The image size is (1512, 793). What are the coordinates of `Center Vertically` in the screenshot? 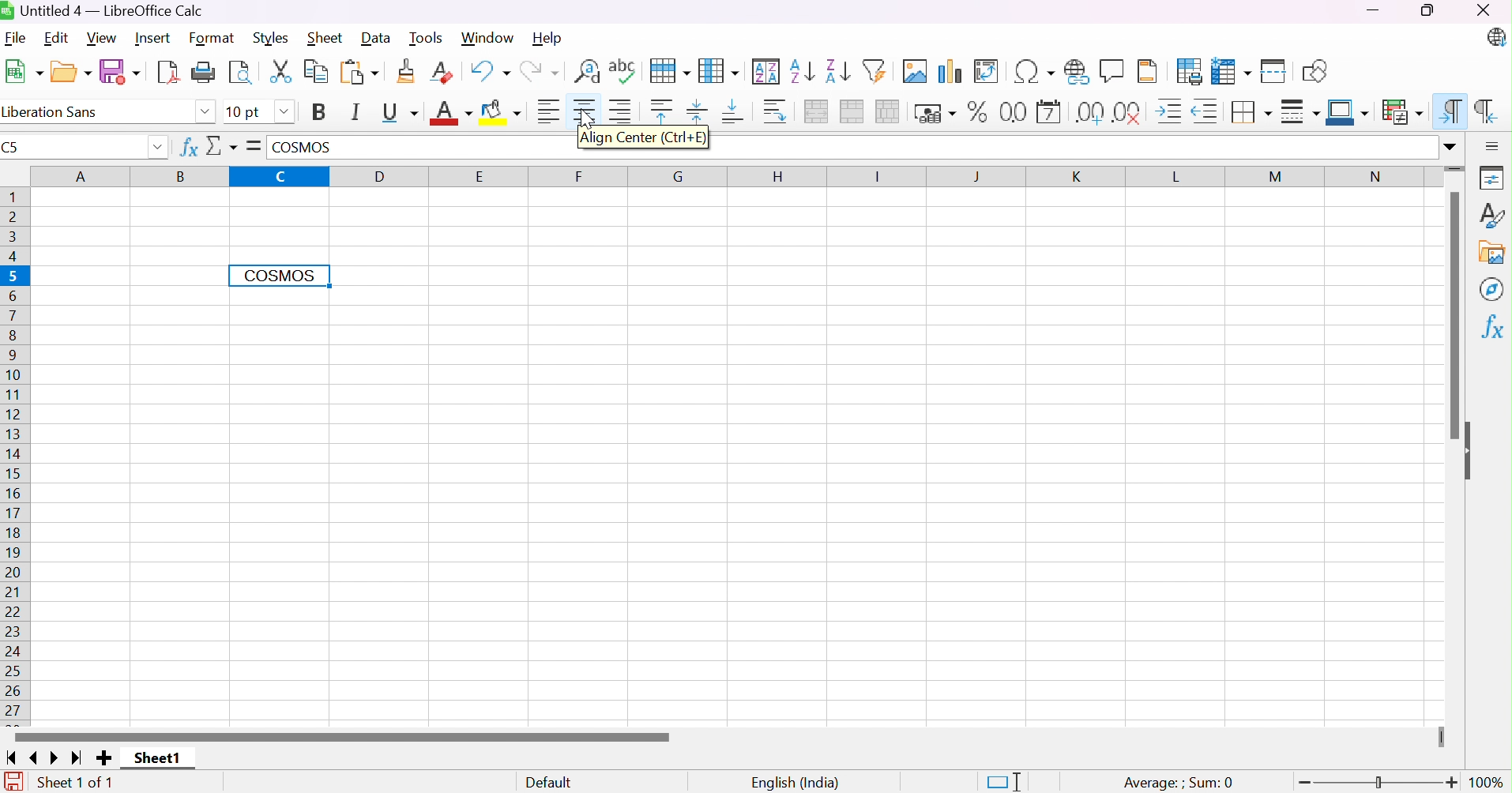 It's located at (698, 113).